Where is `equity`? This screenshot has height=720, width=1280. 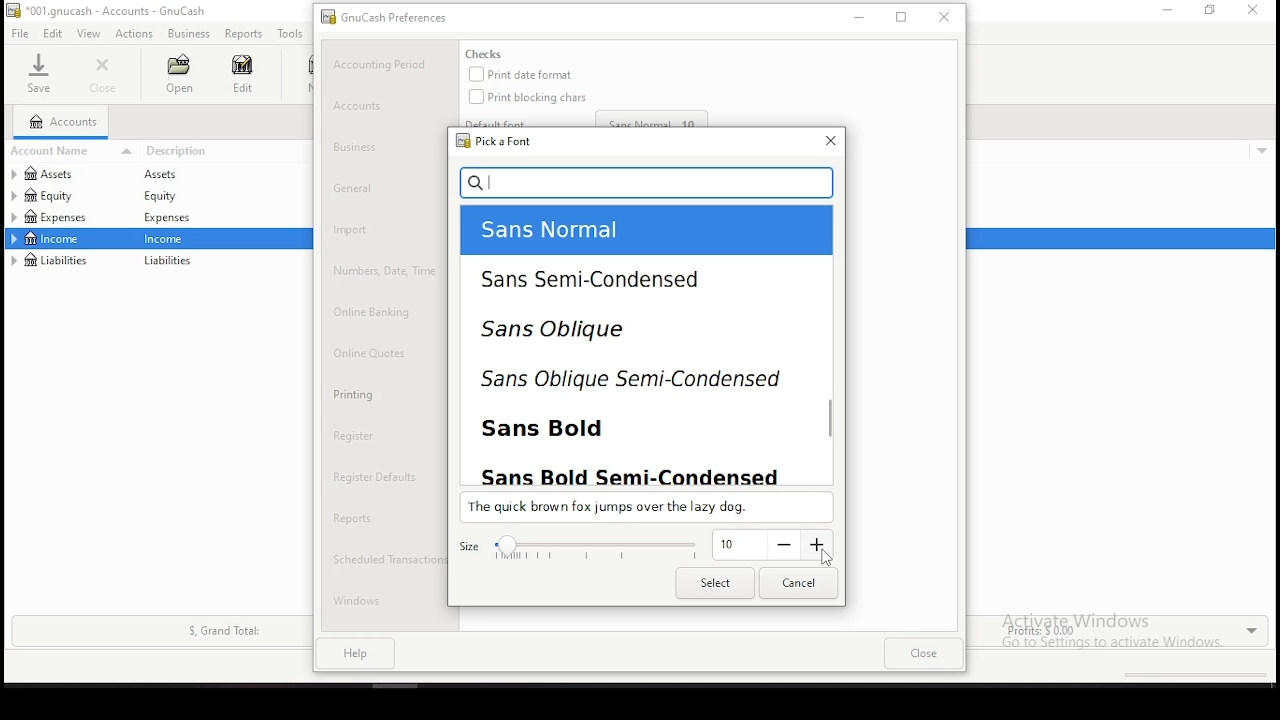 equity is located at coordinates (49, 195).